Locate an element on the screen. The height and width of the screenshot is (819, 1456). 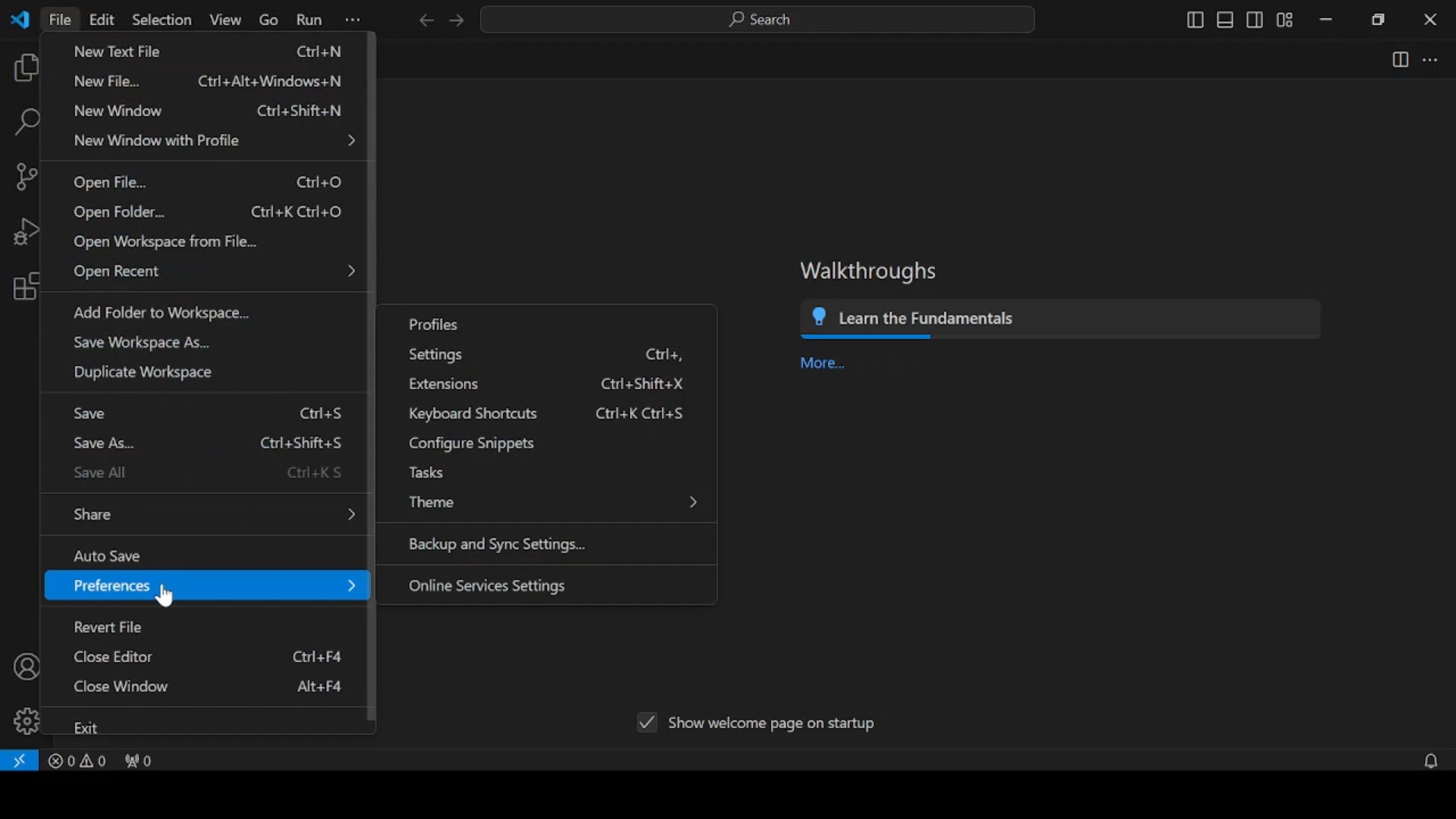
duplicate workspace is located at coordinates (146, 373).